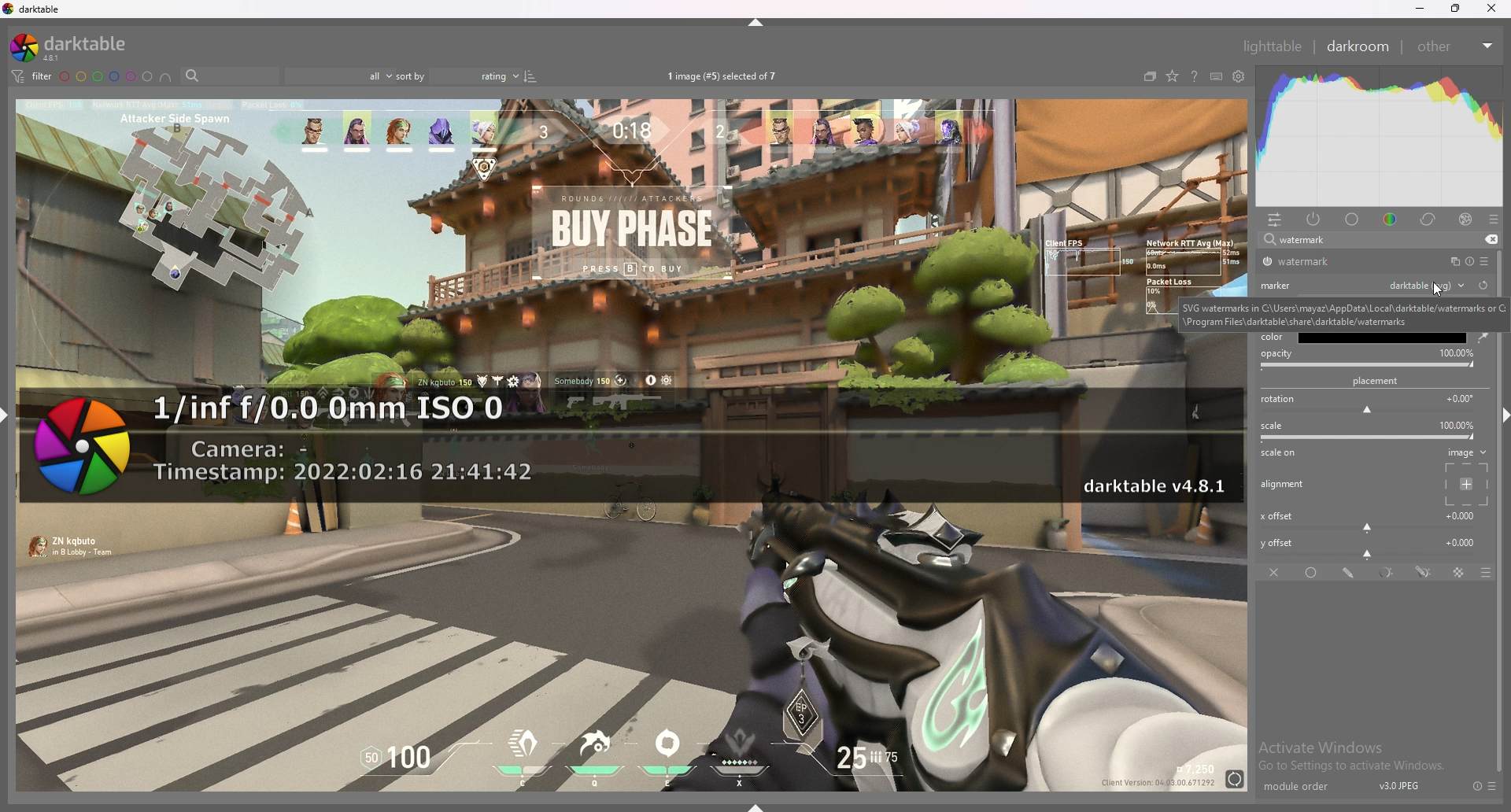 The height and width of the screenshot is (812, 1511). I want to click on effect, so click(1465, 220).